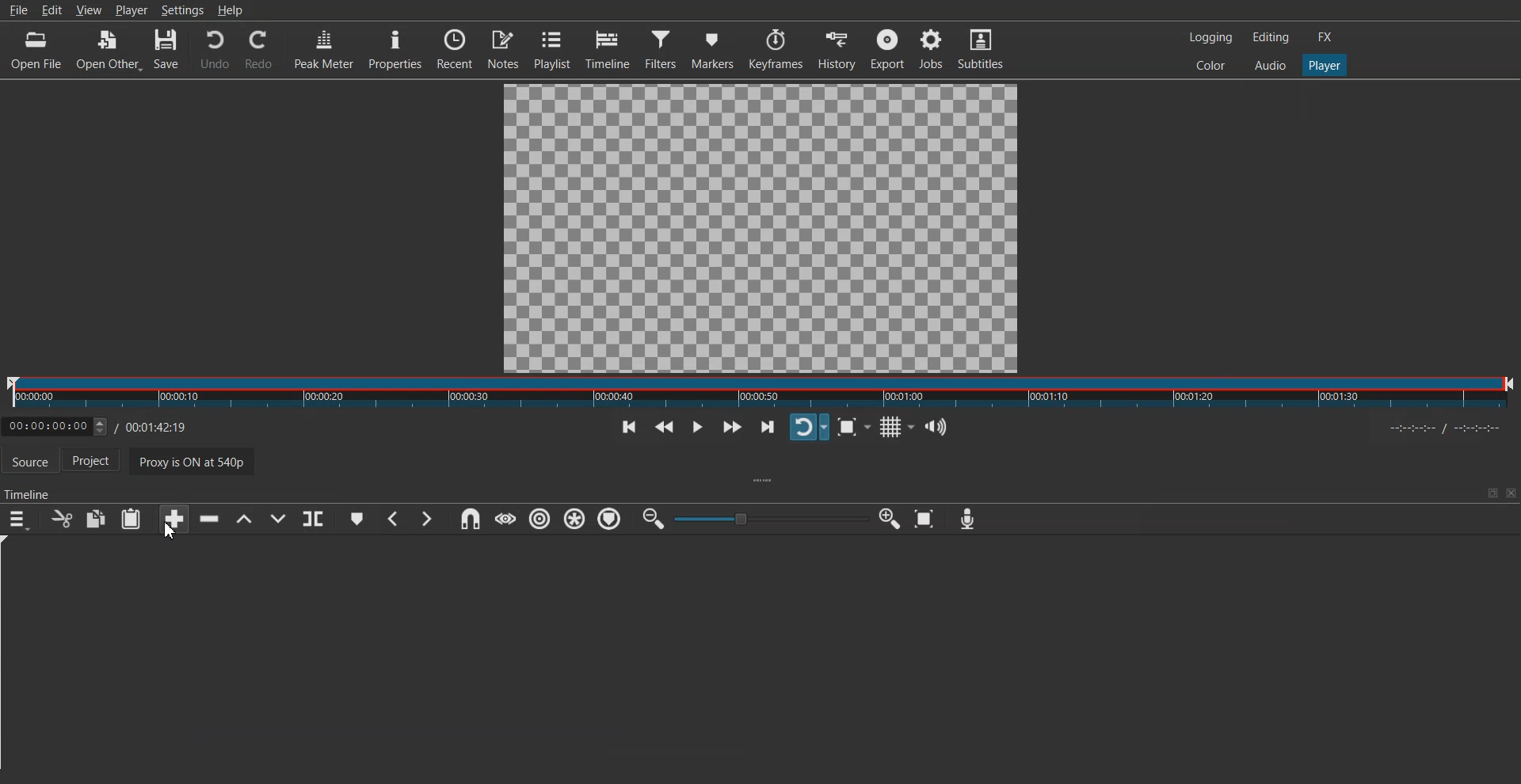 This screenshot has width=1521, height=784. I want to click on Next Marker, so click(425, 519).